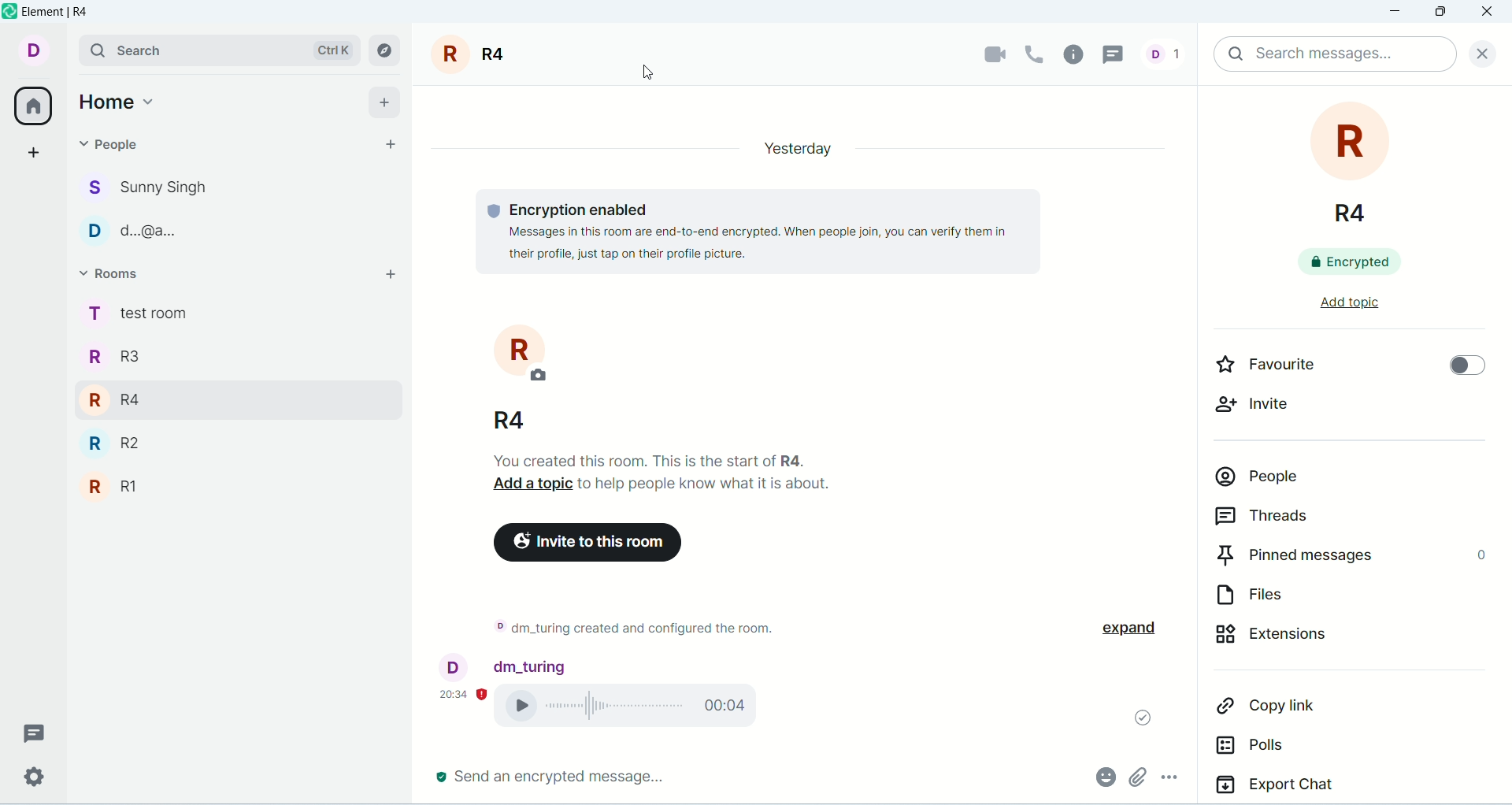 The image size is (1512, 805). What do you see at coordinates (636, 708) in the screenshot?
I see `voice call` at bounding box center [636, 708].